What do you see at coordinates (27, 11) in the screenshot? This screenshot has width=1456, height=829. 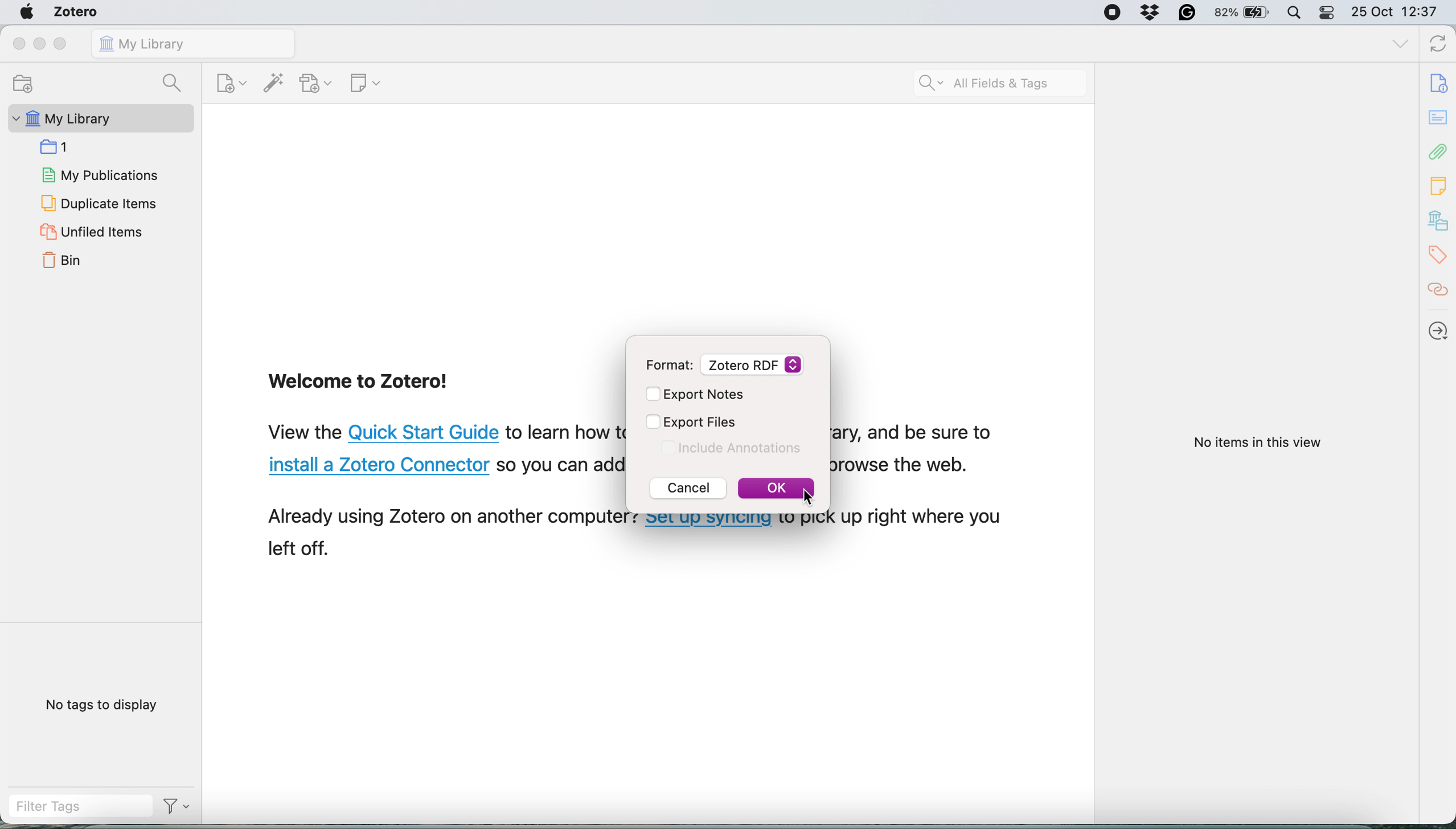 I see `system logo` at bounding box center [27, 11].